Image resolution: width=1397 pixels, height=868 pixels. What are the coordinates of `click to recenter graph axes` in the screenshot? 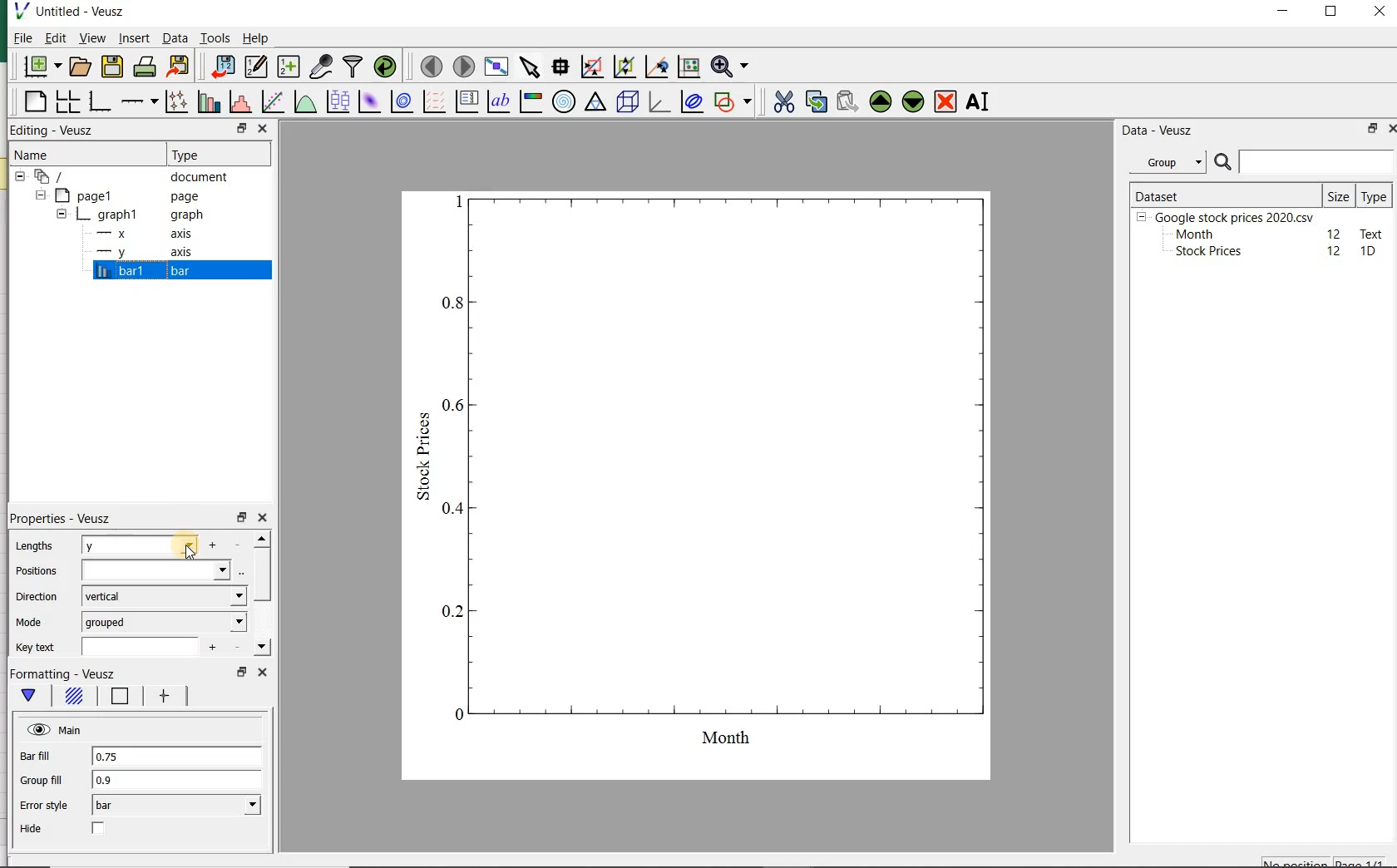 It's located at (654, 67).